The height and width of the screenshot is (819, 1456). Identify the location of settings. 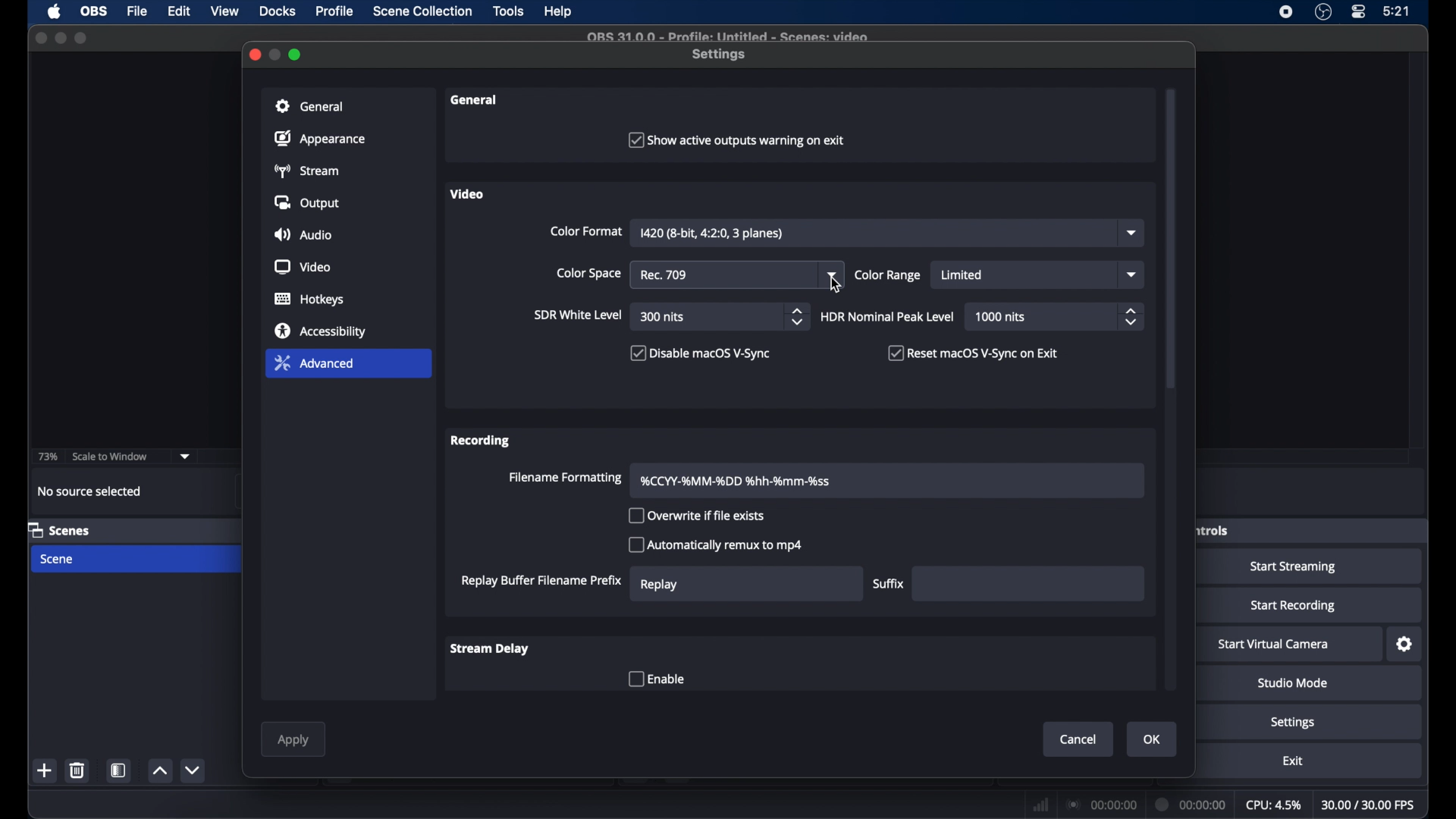
(718, 55).